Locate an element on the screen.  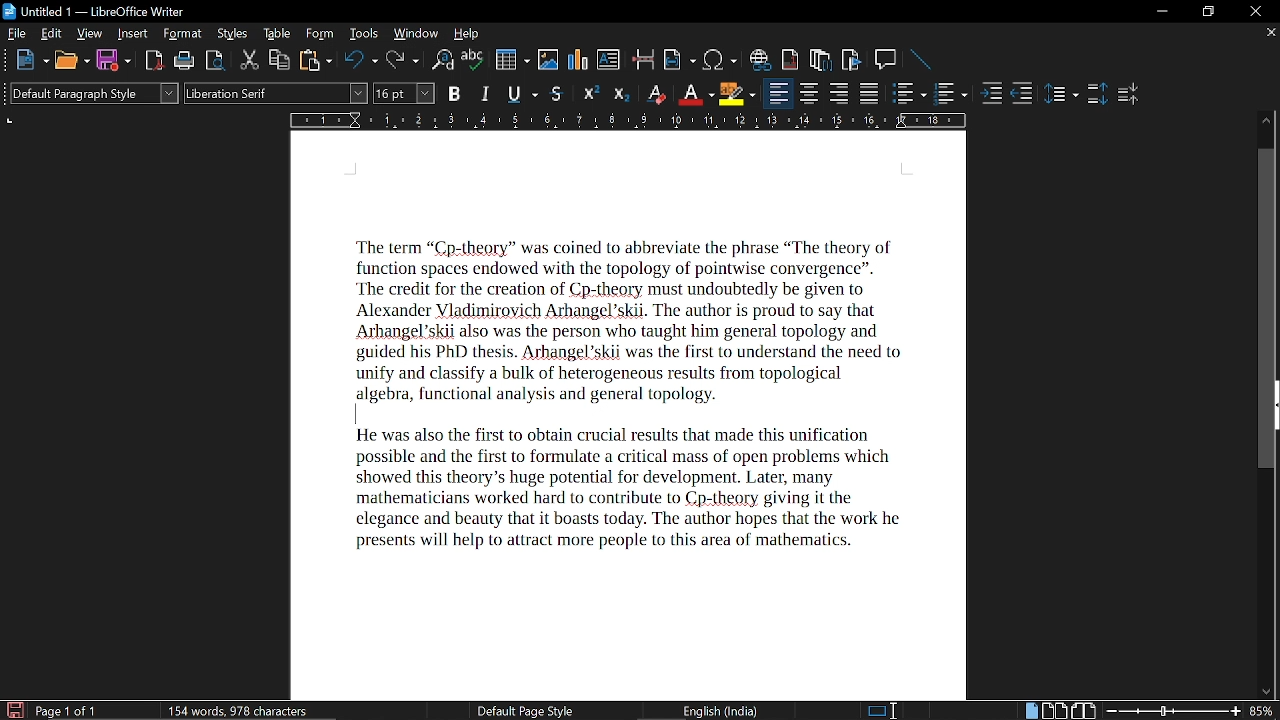
Move down is located at coordinates (1263, 690).